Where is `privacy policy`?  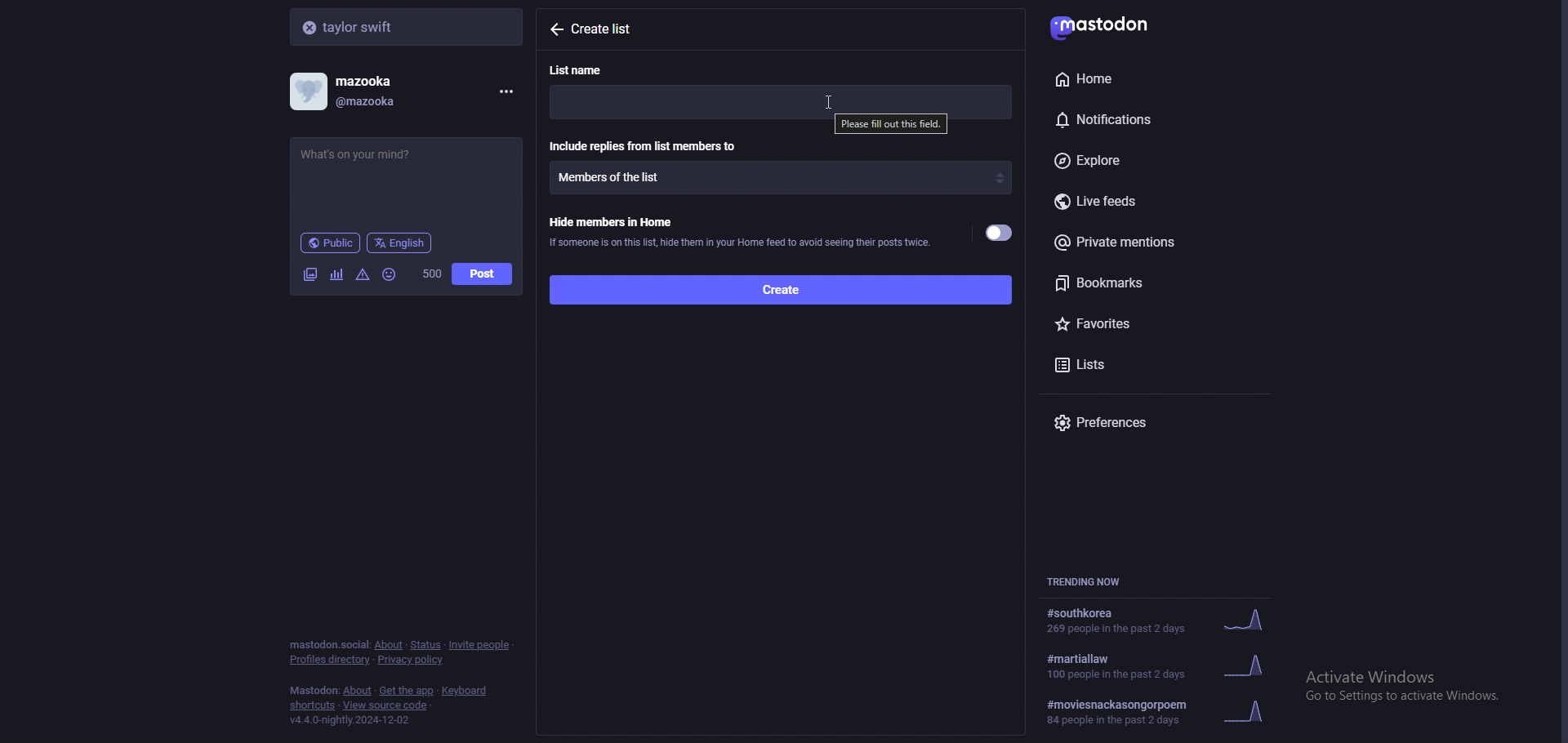 privacy policy is located at coordinates (412, 661).